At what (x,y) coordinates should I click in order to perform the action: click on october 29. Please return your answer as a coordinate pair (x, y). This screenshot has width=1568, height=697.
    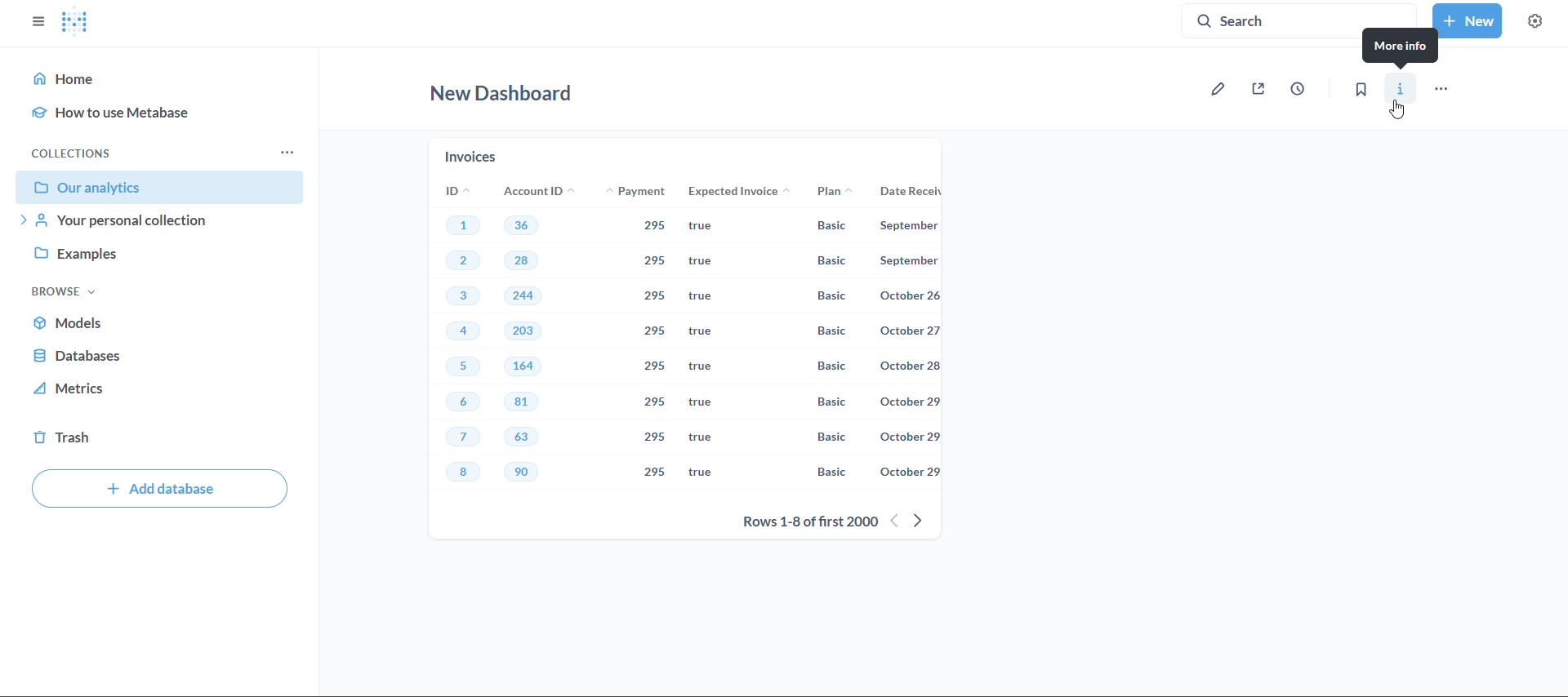
    Looking at the image, I should click on (910, 436).